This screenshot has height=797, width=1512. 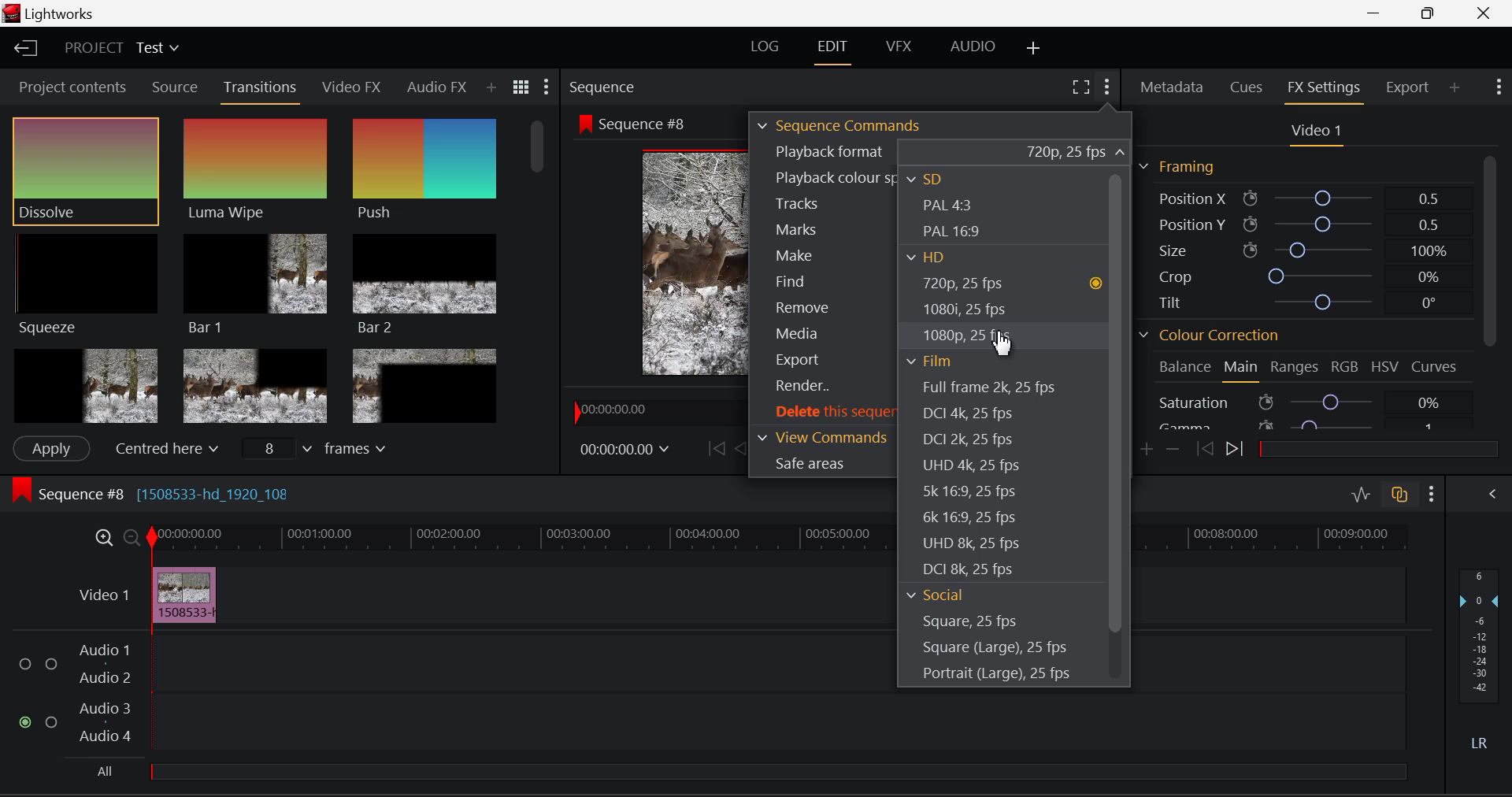 I want to click on Centered here, so click(x=164, y=449).